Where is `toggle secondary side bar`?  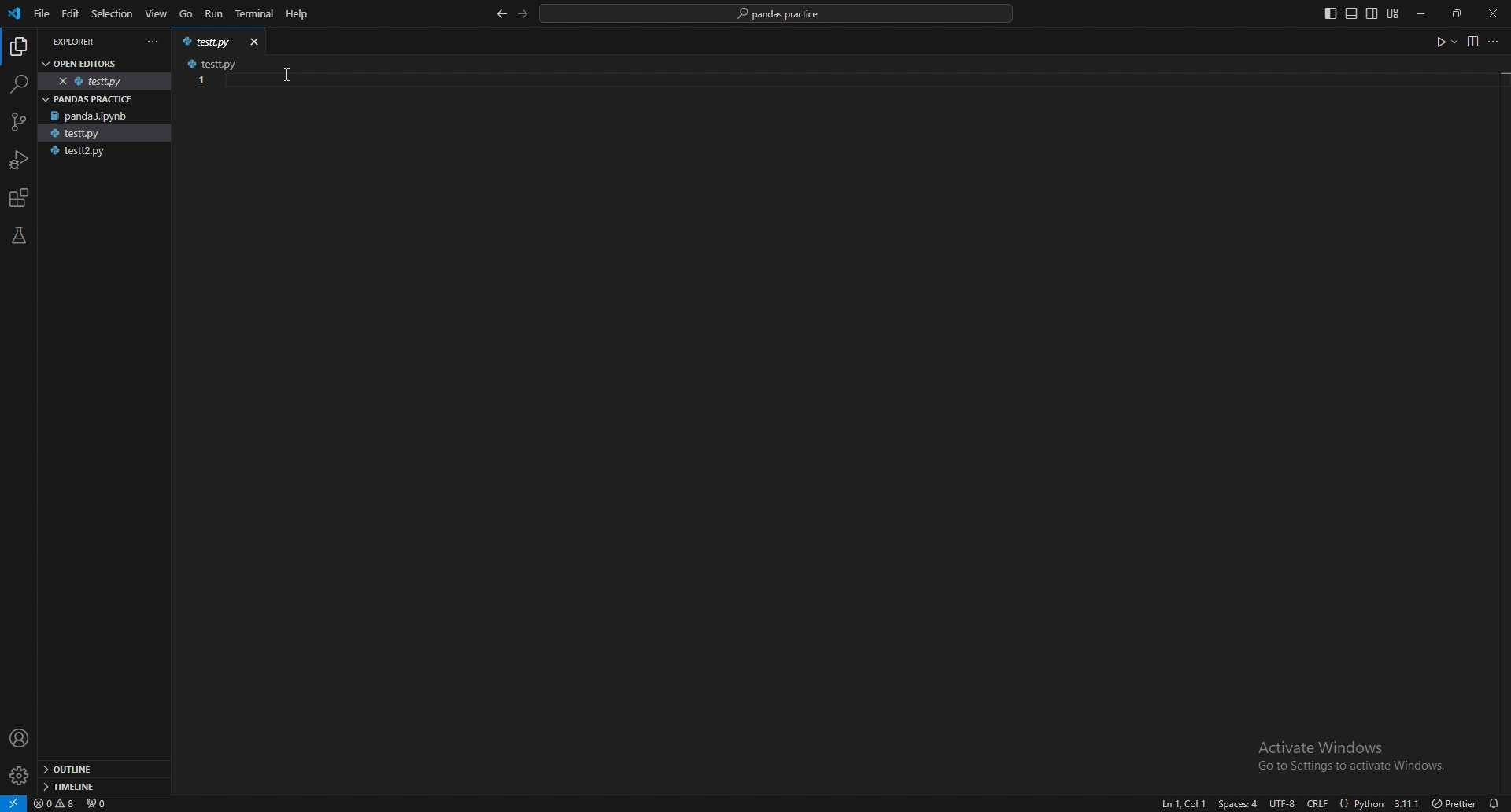 toggle secondary side bar is located at coordinates (1372, 13).